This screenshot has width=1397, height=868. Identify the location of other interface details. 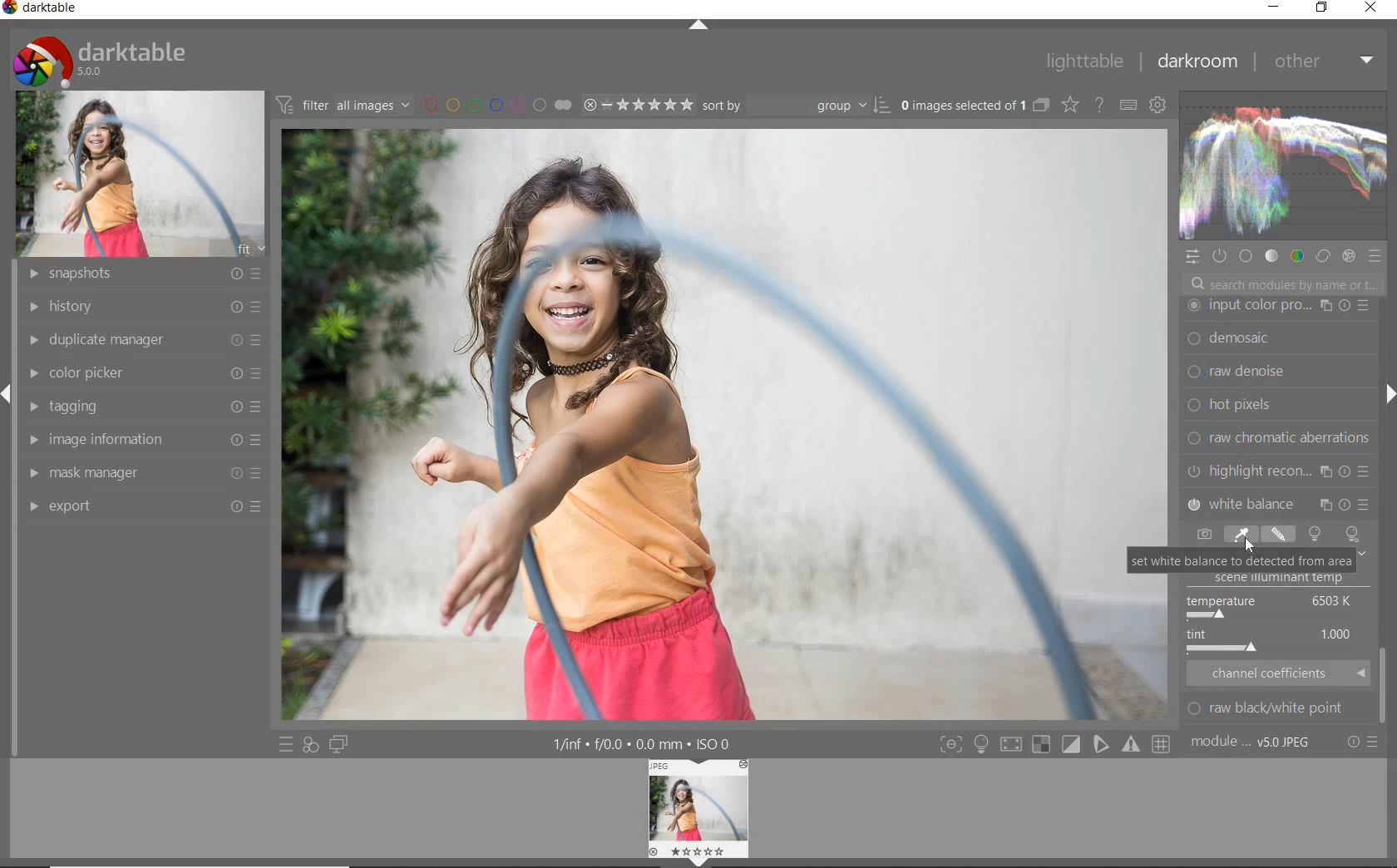
(644, 745).